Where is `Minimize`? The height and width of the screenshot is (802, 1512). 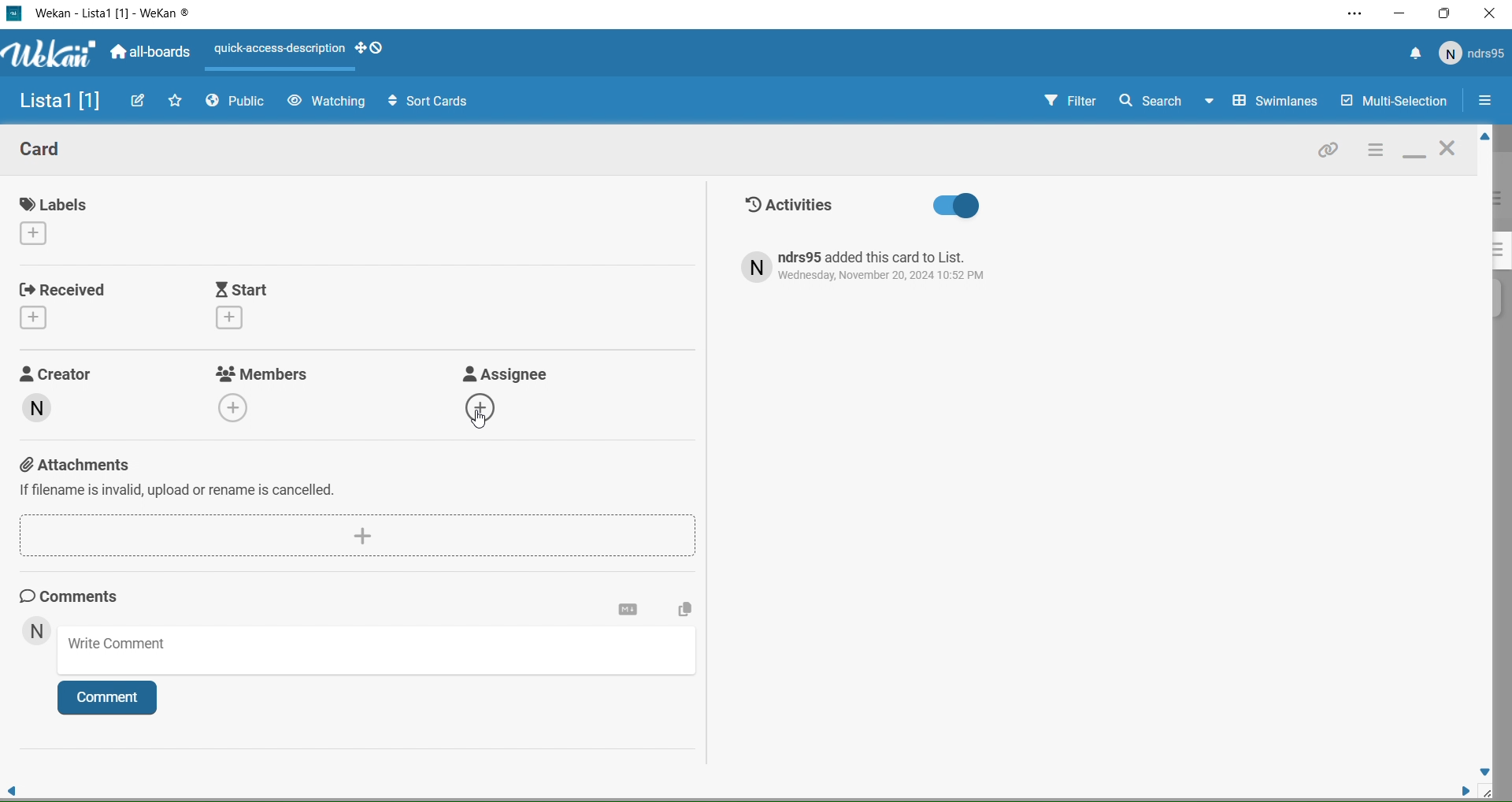
Minimize is located at coordinates (1400, 13).